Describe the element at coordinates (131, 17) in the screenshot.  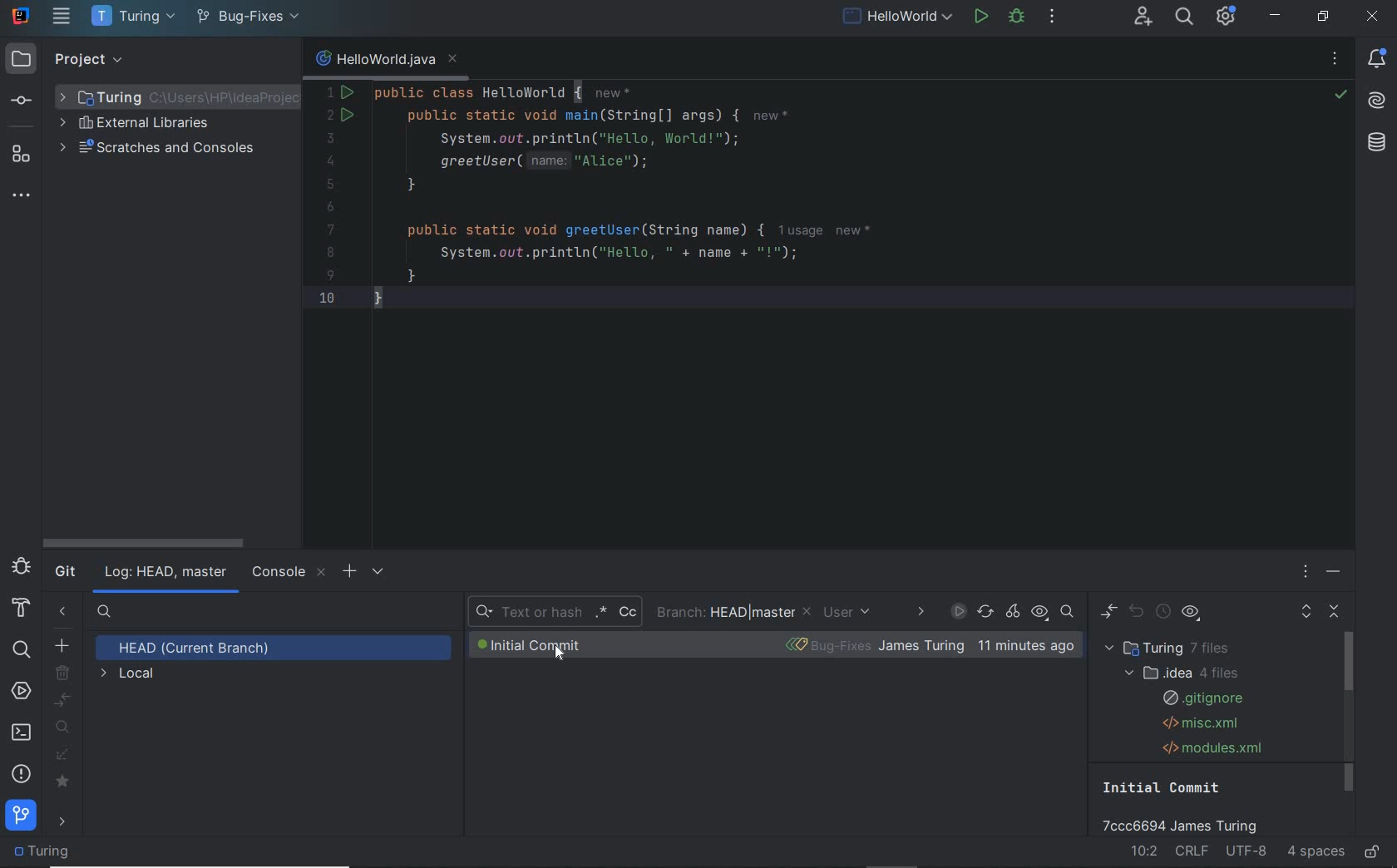
I see `project name` at that location.